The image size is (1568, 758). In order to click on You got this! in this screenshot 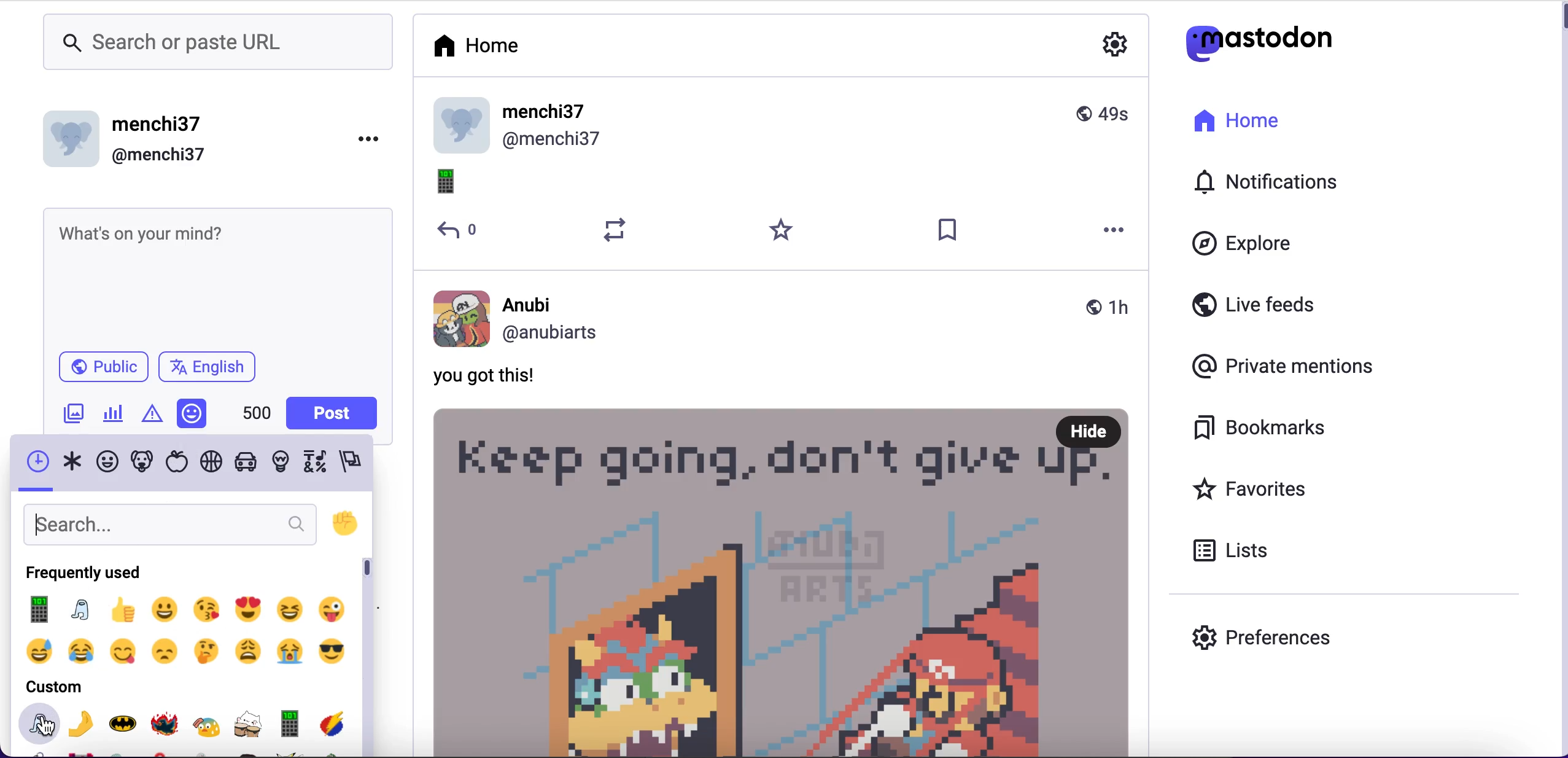, I will do `click(486, 377)`.